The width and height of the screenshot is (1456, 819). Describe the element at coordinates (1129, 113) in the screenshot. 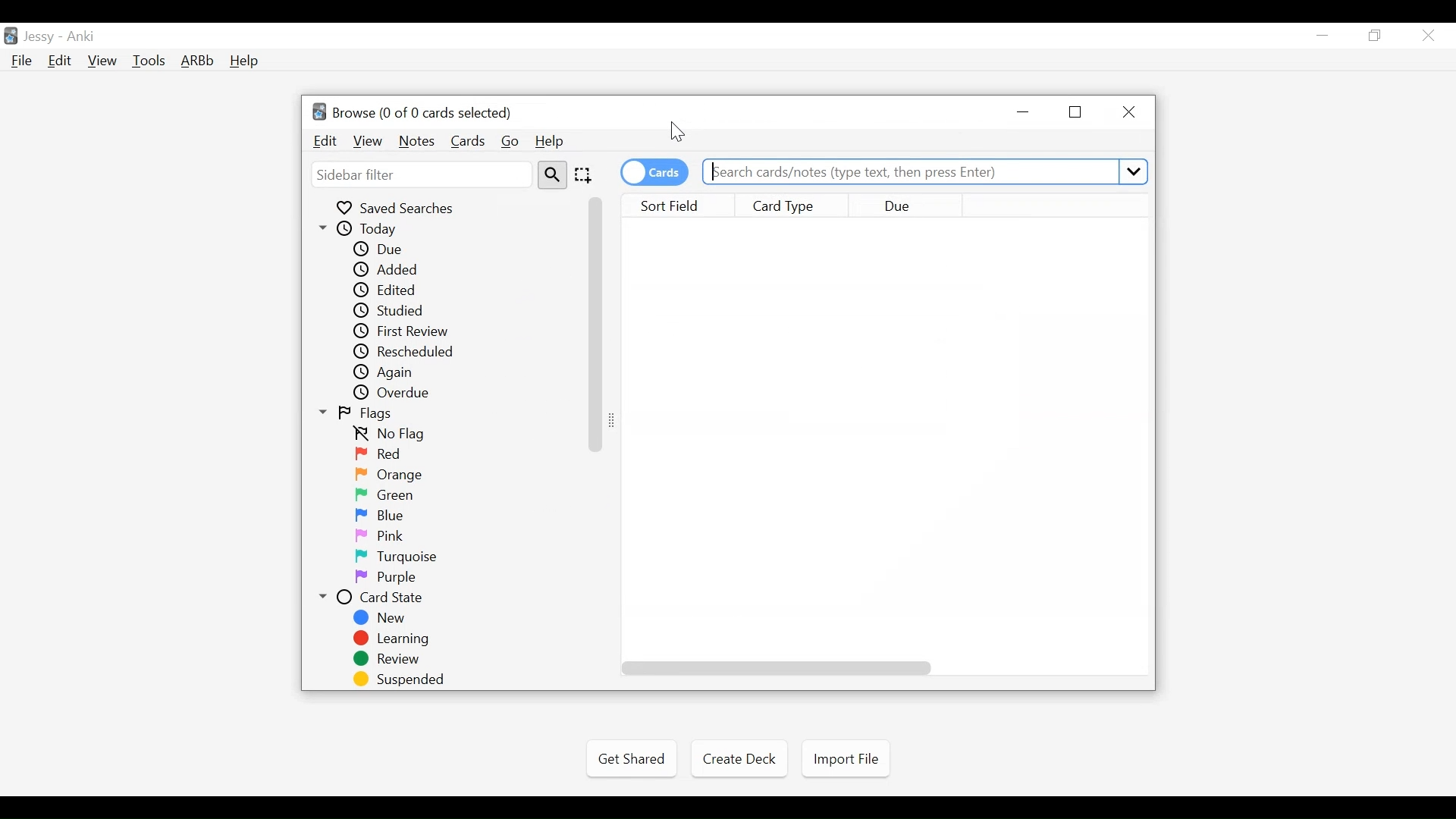

I see `Close` at that location.